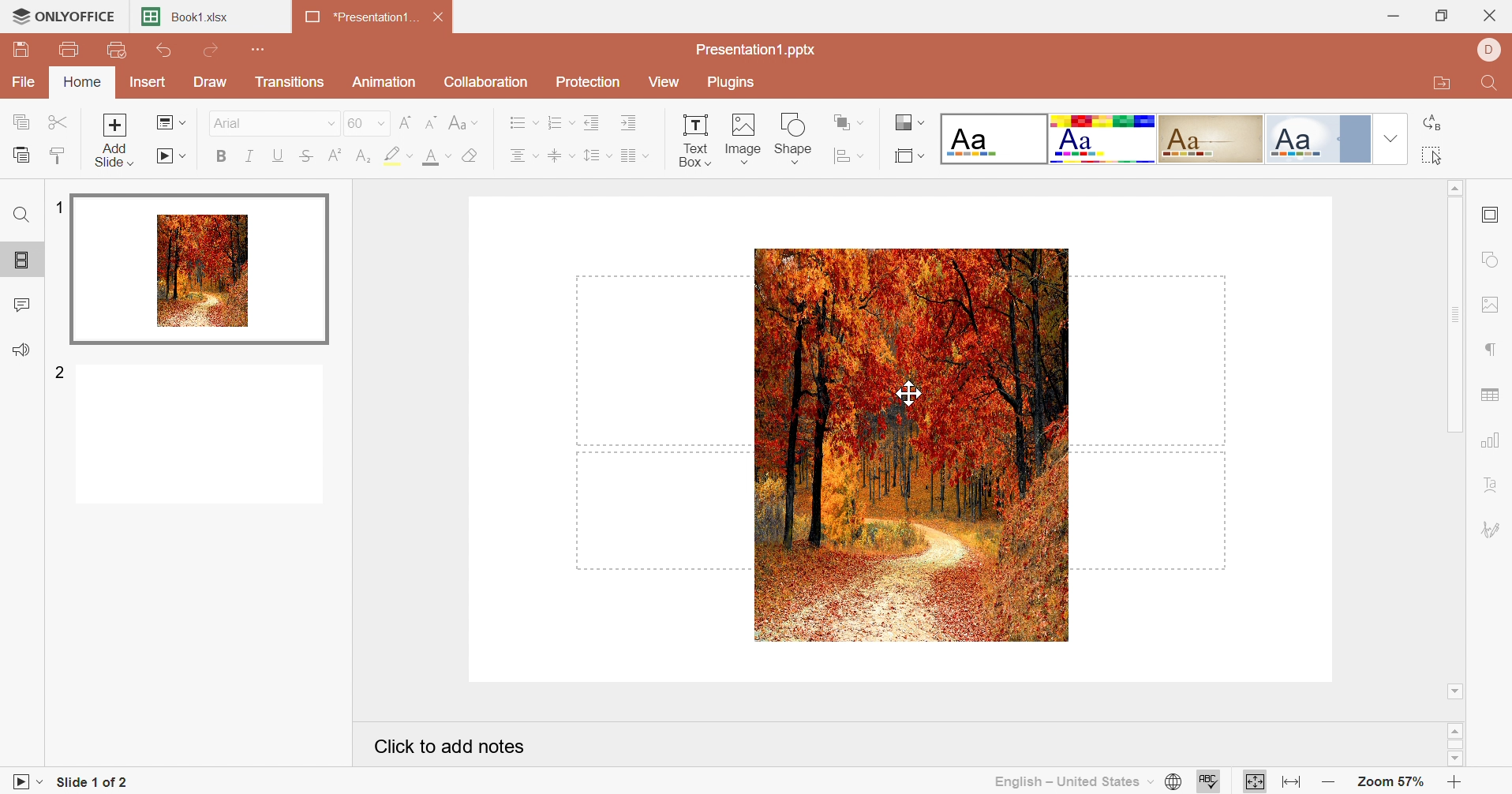 The height and width of the screenshot is (794, 1512). Describe the element at coordinates (1318, 139) in the screenshot. I see `Official` at that location.